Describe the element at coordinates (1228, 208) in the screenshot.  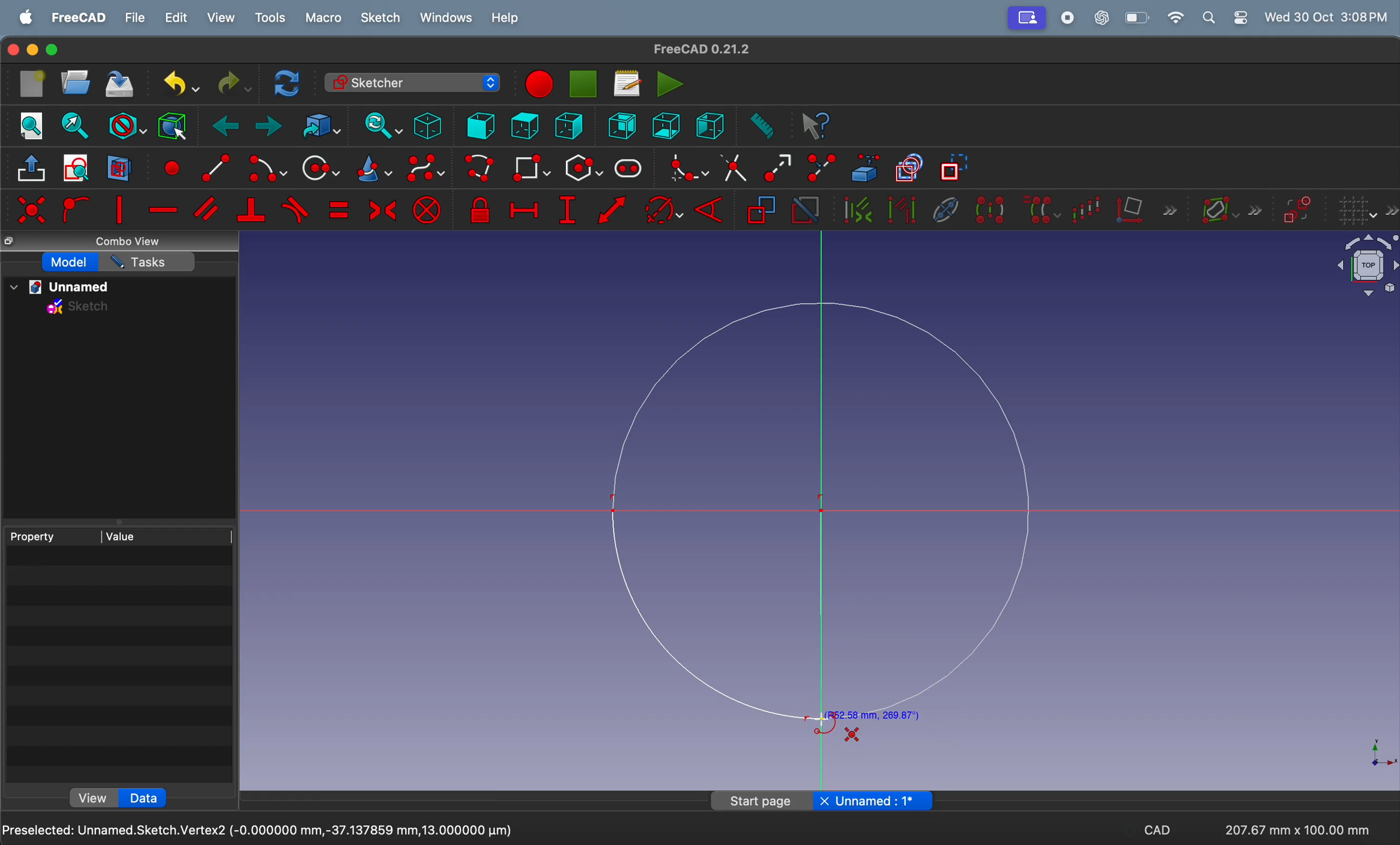
I see `show information layer` at that location.